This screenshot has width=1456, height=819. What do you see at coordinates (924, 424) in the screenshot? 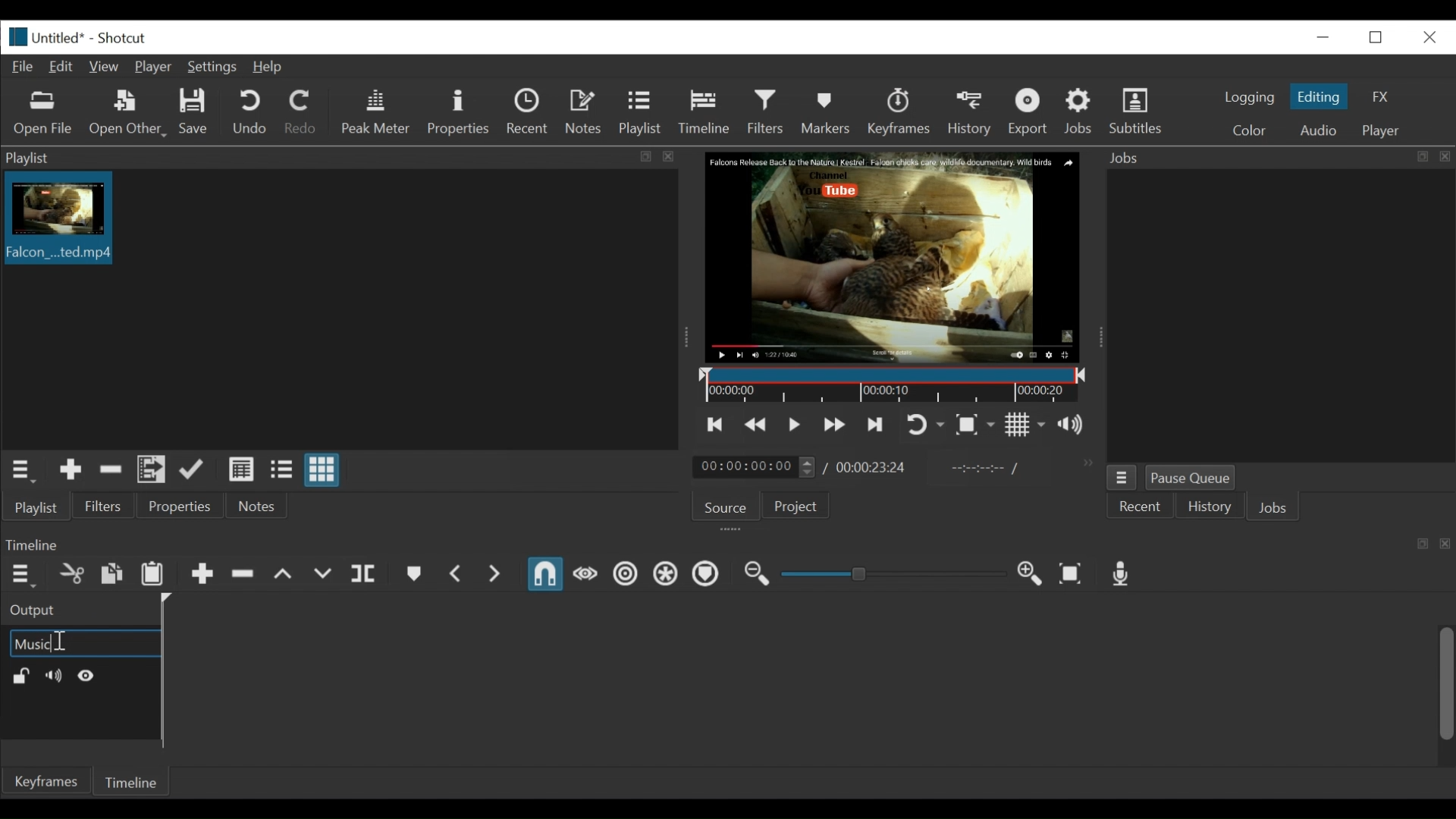
I see `Toggle Zoom` at bounding box center [924, 424].